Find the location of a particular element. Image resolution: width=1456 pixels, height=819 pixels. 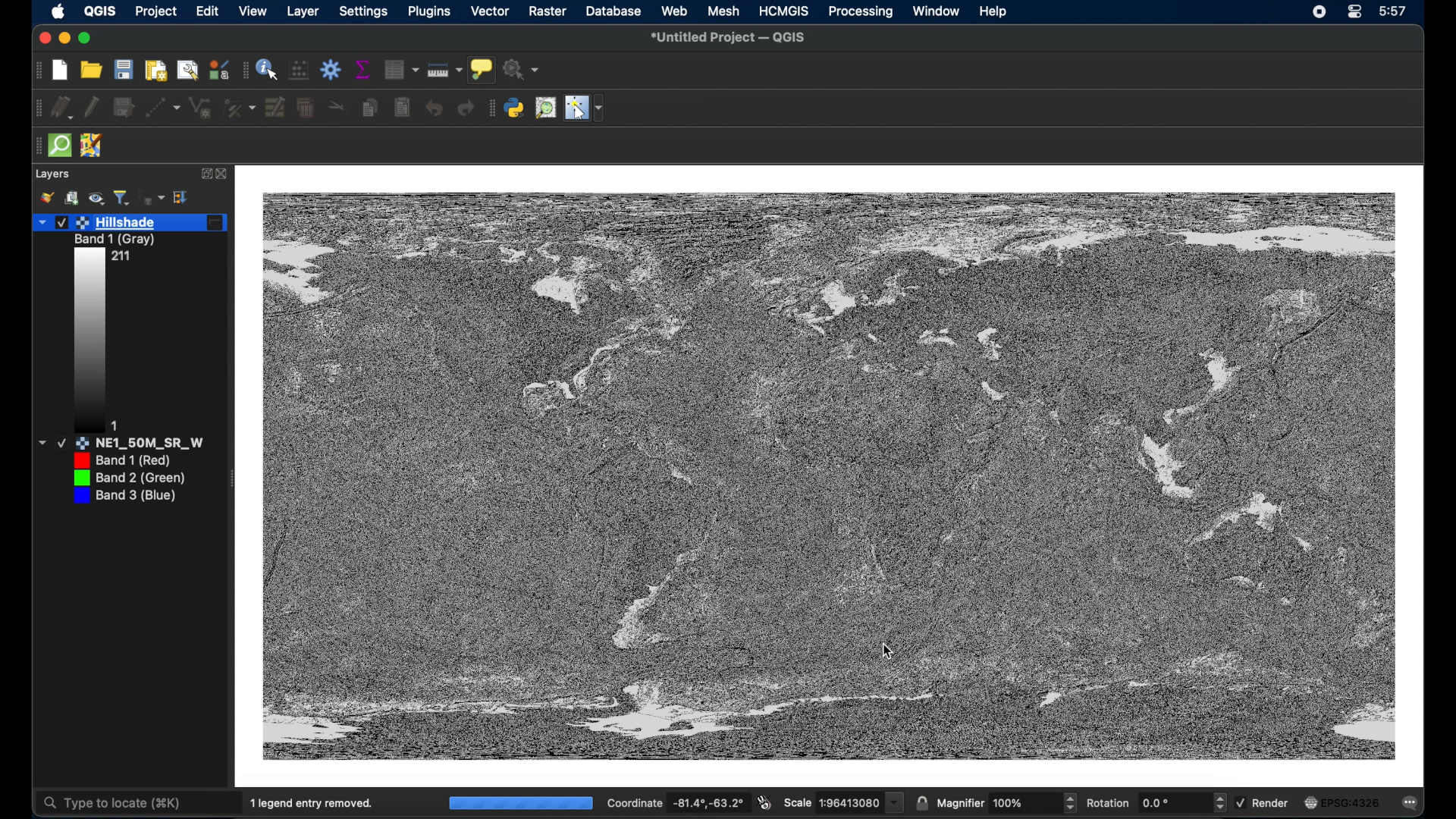

python console is located at coordinates (515, 108).